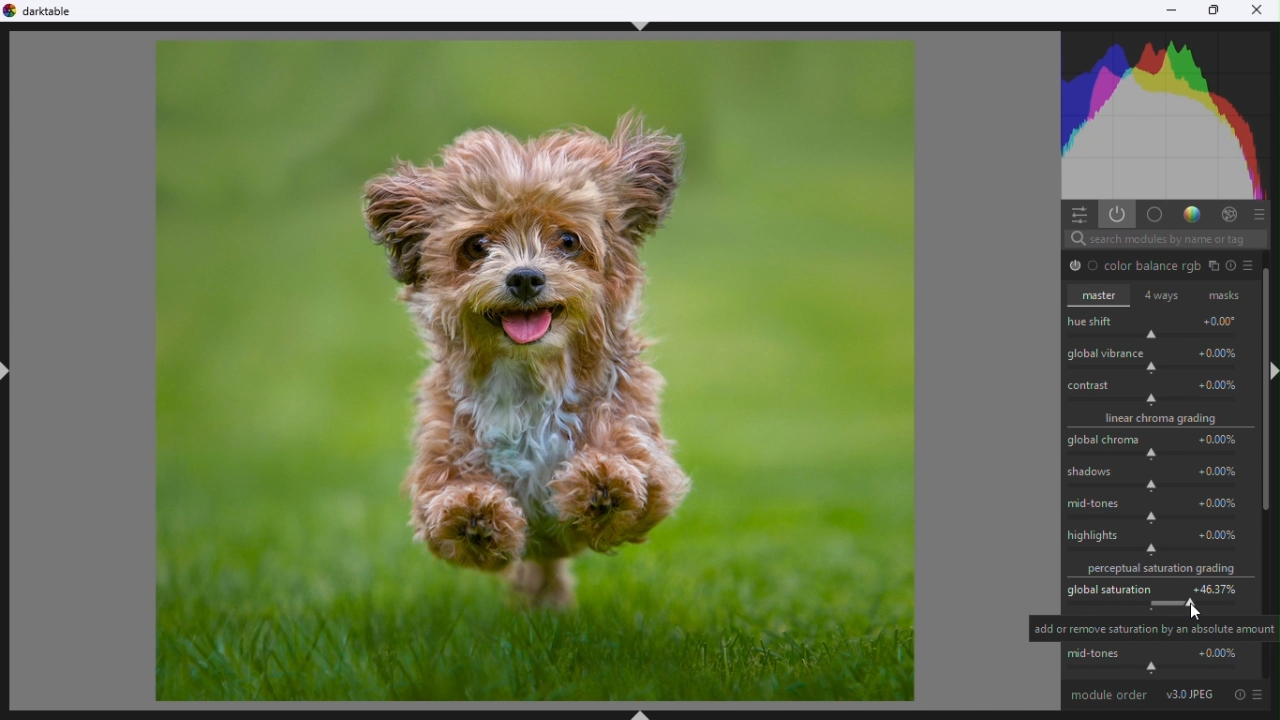  Describe the element at coordinates (1079, 215) in the screenshot. I see `quick settings` at that location.